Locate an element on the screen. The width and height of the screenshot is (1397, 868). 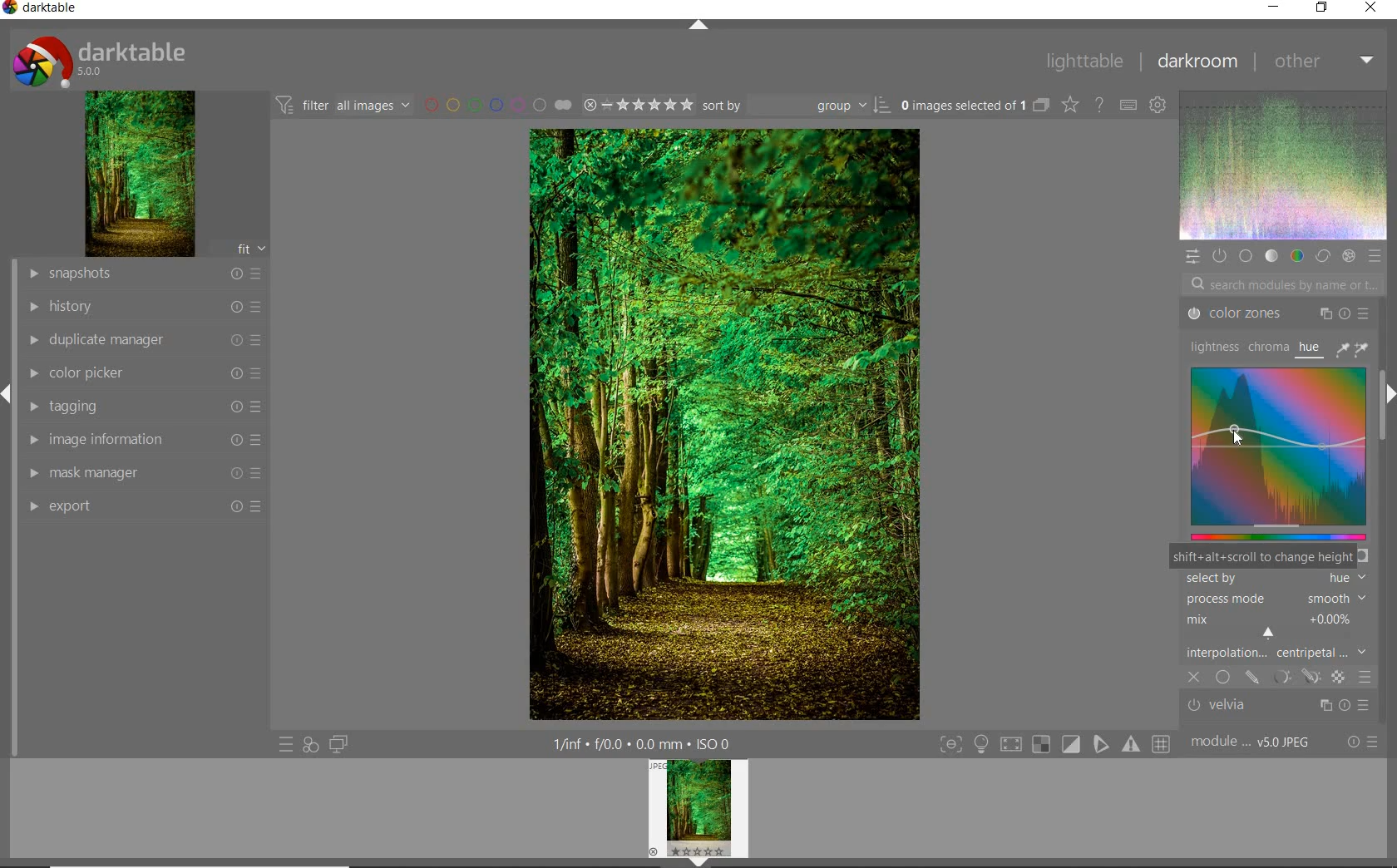
OTHER is located at coordinates (1325, 61).